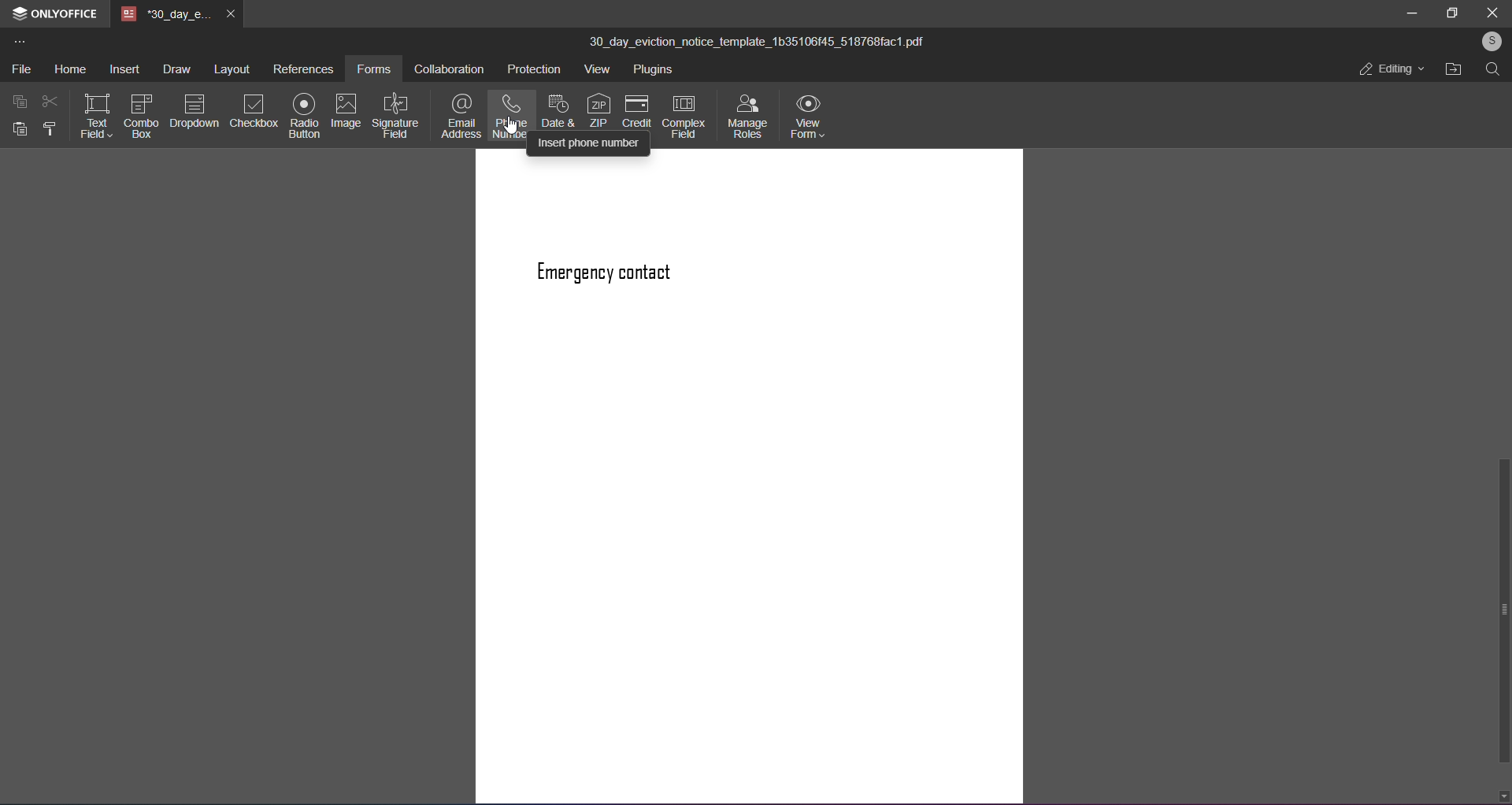 The image size is (1512, 805). I want to click on home, so click(67, 70).